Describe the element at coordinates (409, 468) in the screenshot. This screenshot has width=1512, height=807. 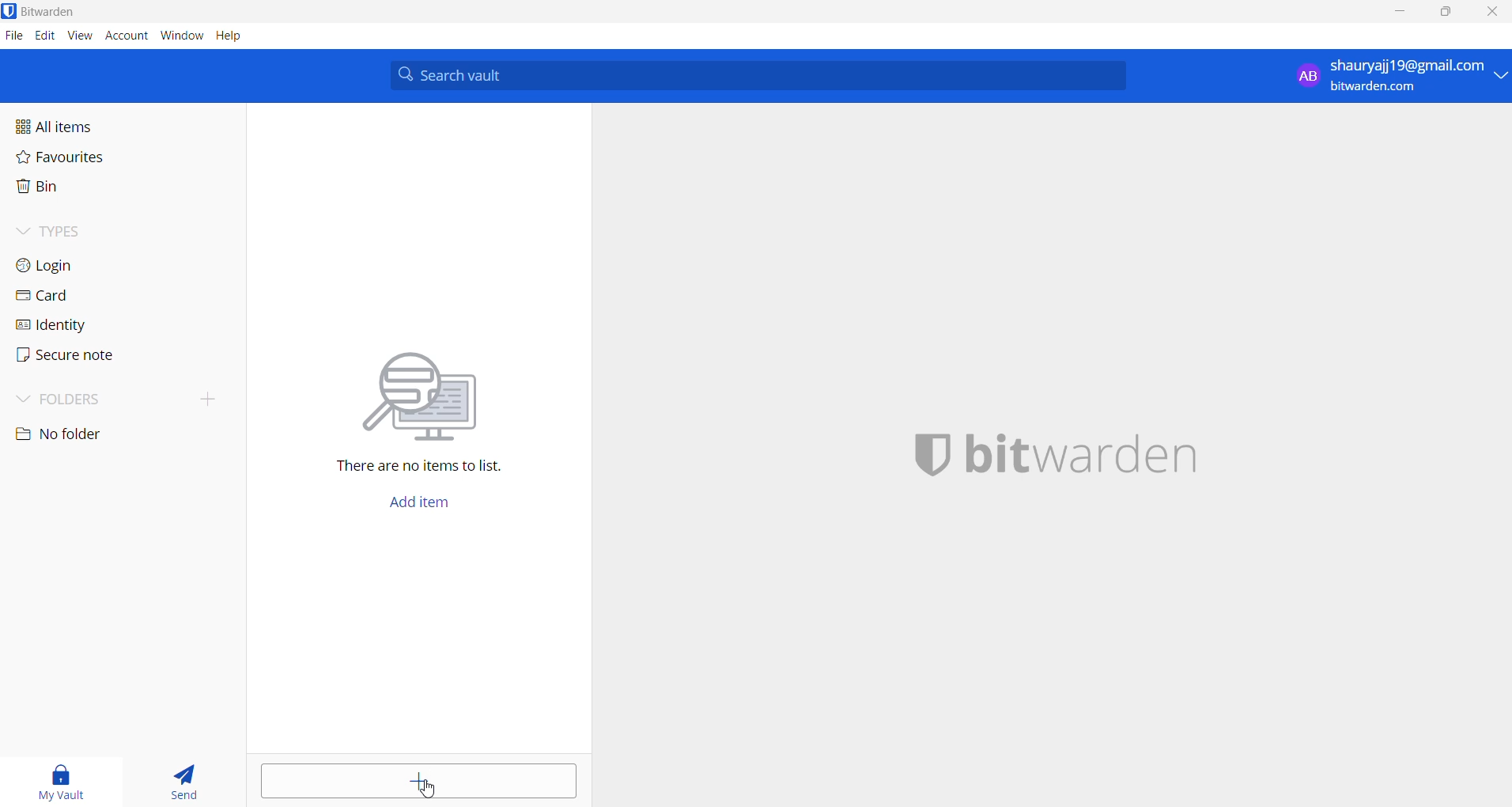
I see `sentence mentioning that there are no items in vault l` at that location.